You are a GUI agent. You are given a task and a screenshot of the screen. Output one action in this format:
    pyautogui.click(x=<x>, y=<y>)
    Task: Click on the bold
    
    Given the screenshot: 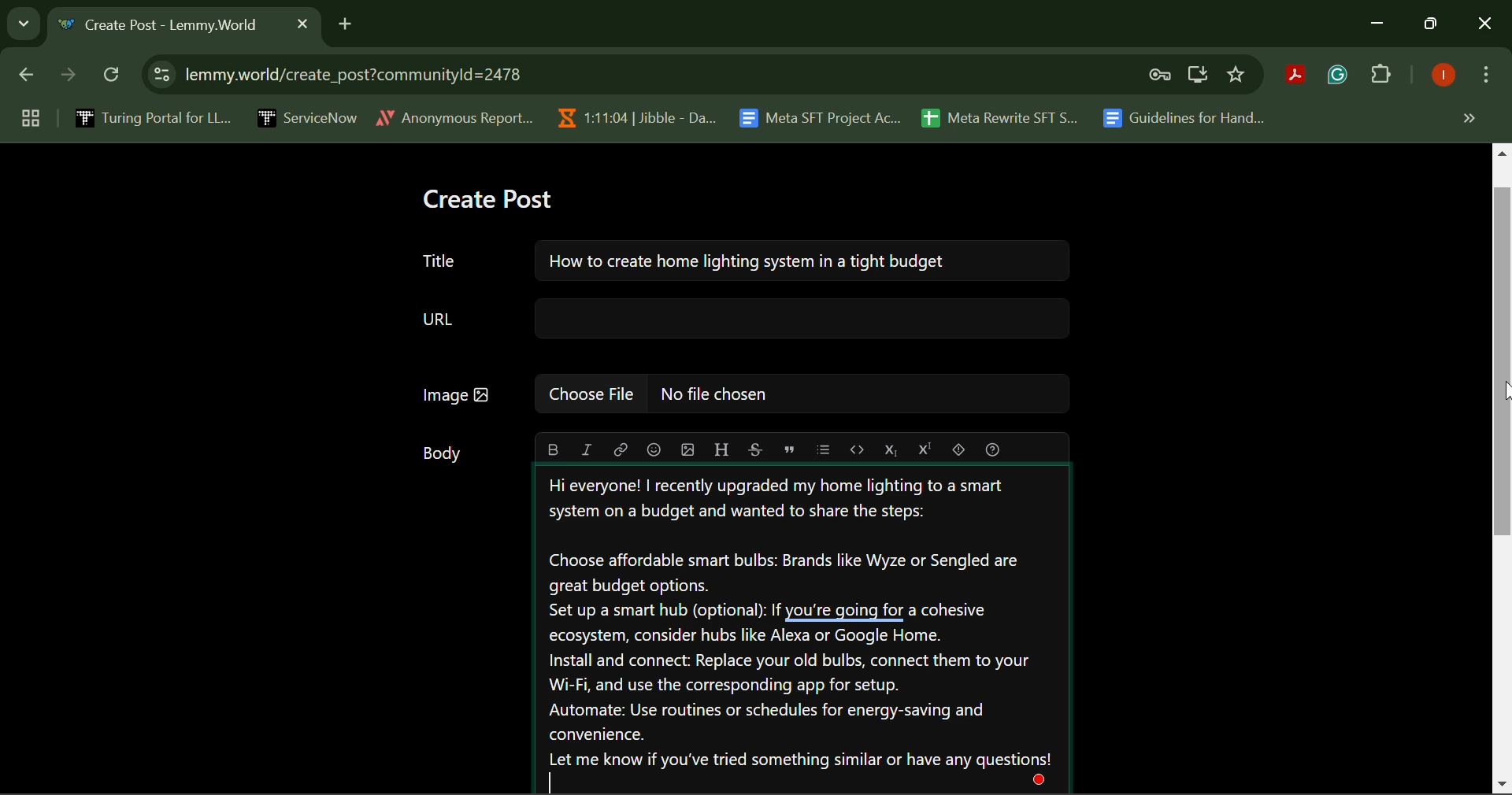 What is the action you would take?
    pyautogui.click(x=554, y=450)
    